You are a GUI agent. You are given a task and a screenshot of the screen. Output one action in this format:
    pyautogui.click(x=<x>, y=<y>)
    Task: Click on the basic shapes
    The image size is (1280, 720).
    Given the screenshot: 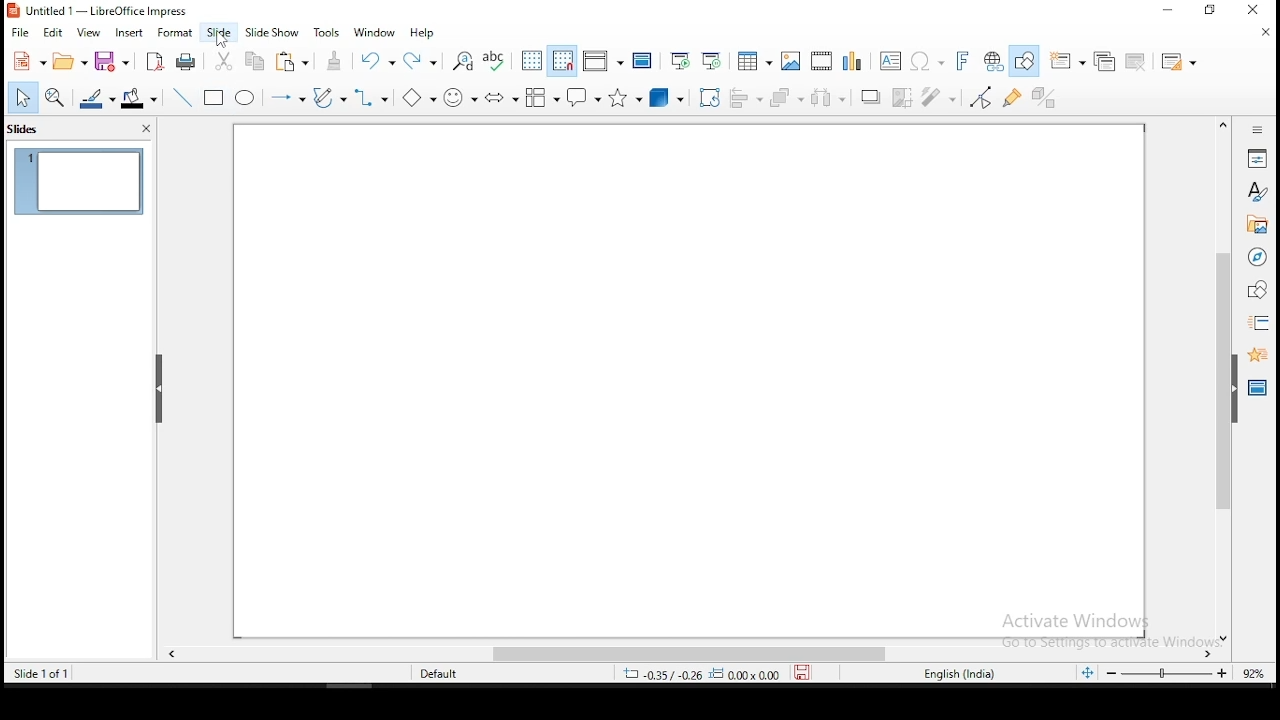 What is the action you would take?
    pyautogui.click(x=418, y=97)
    